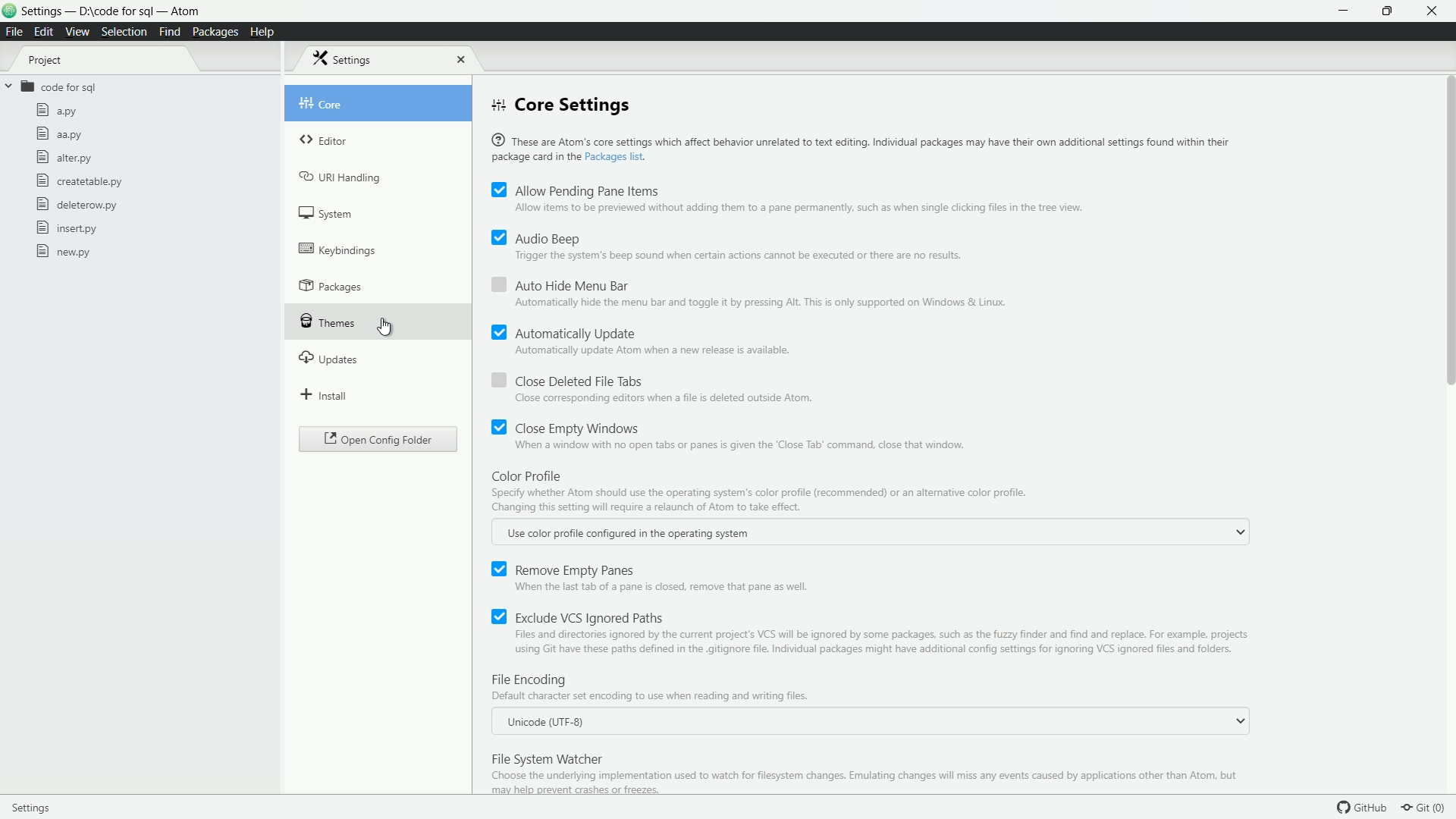  Describe the element at coordinates (39, 806) in the screenshot. I see `settings ` at that location.